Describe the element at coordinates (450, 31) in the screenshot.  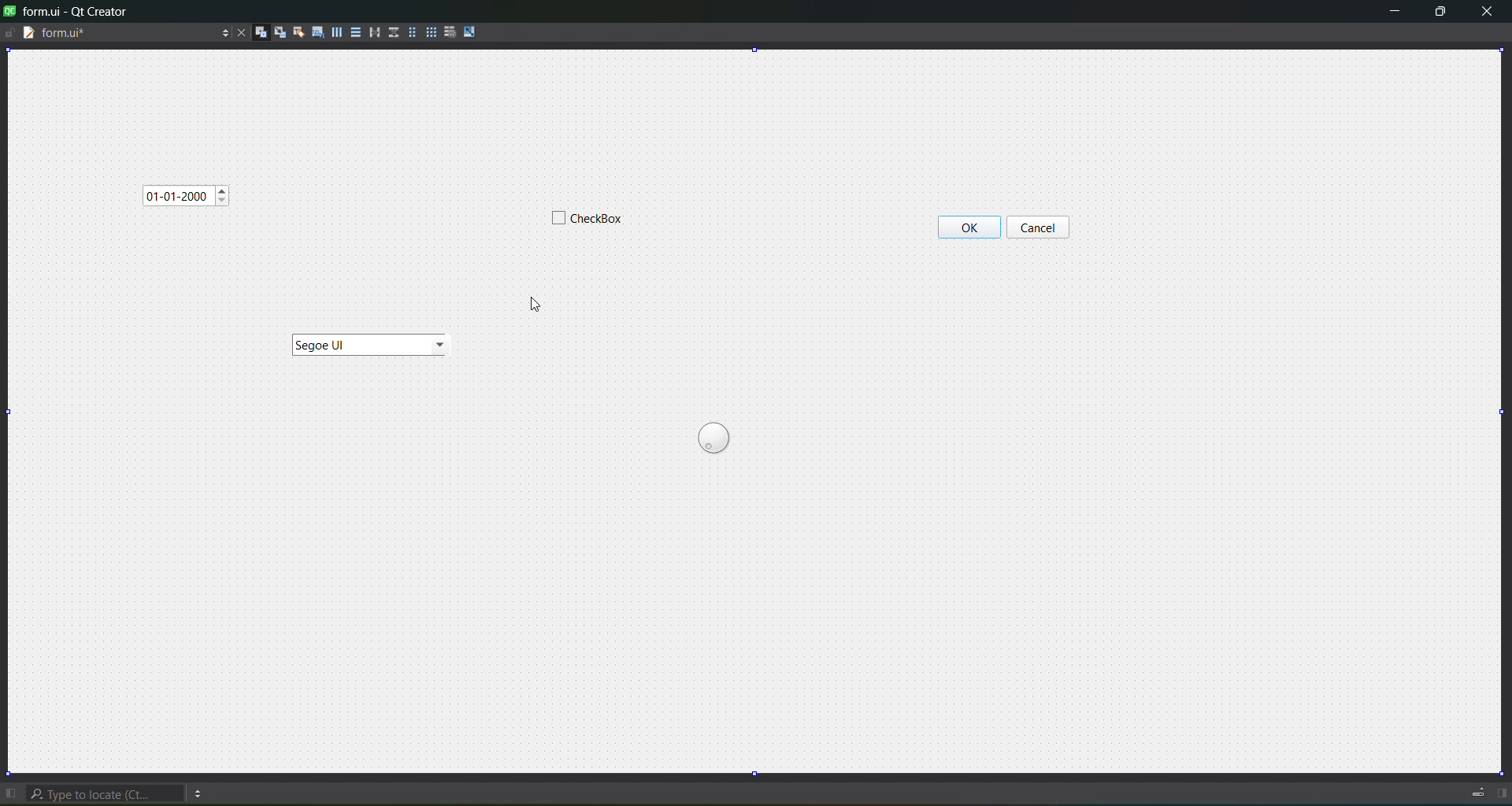
I see `break layout` at that location.